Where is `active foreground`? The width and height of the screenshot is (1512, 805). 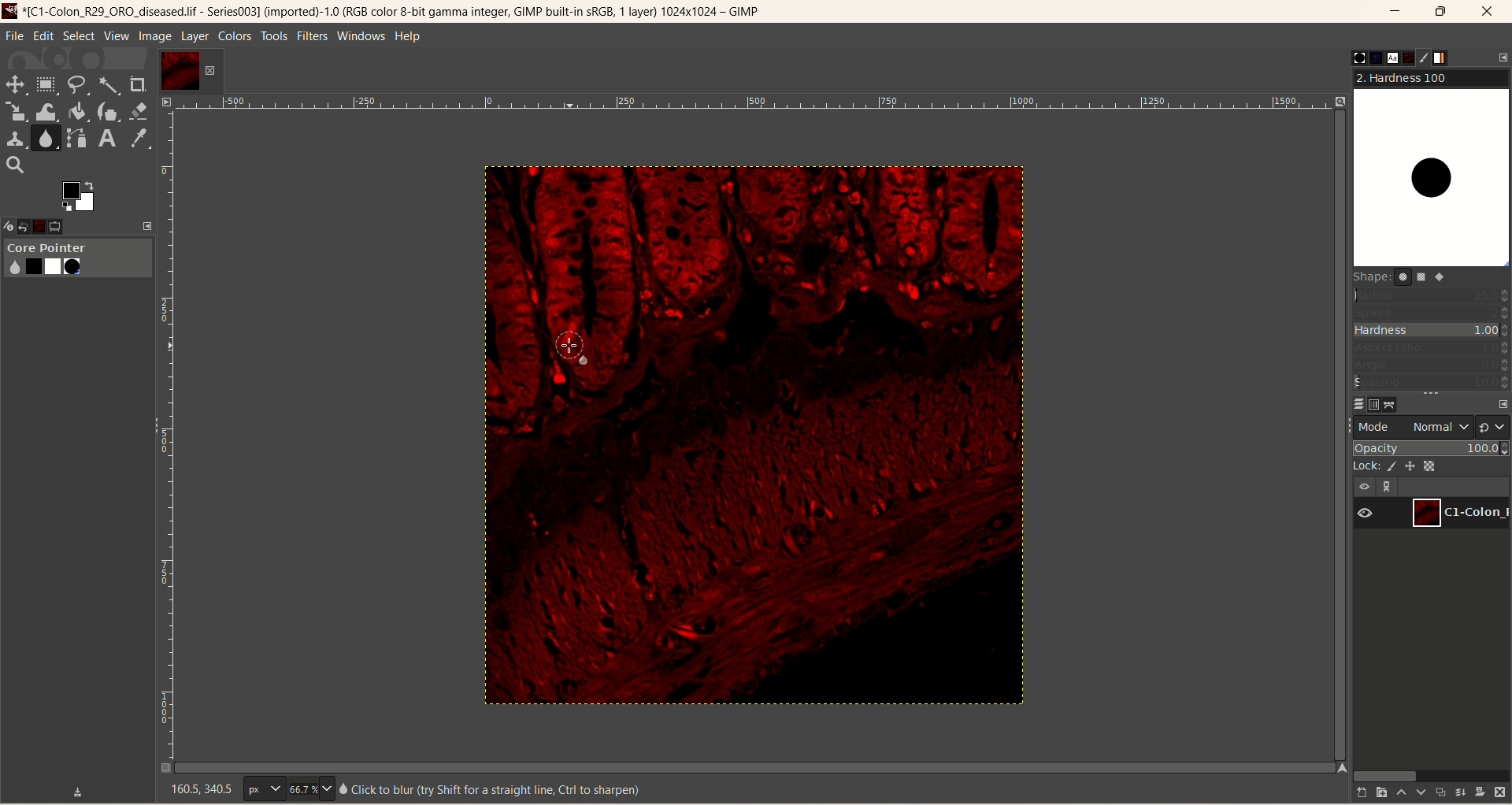
active foreground is located at coordinates (80, 196).